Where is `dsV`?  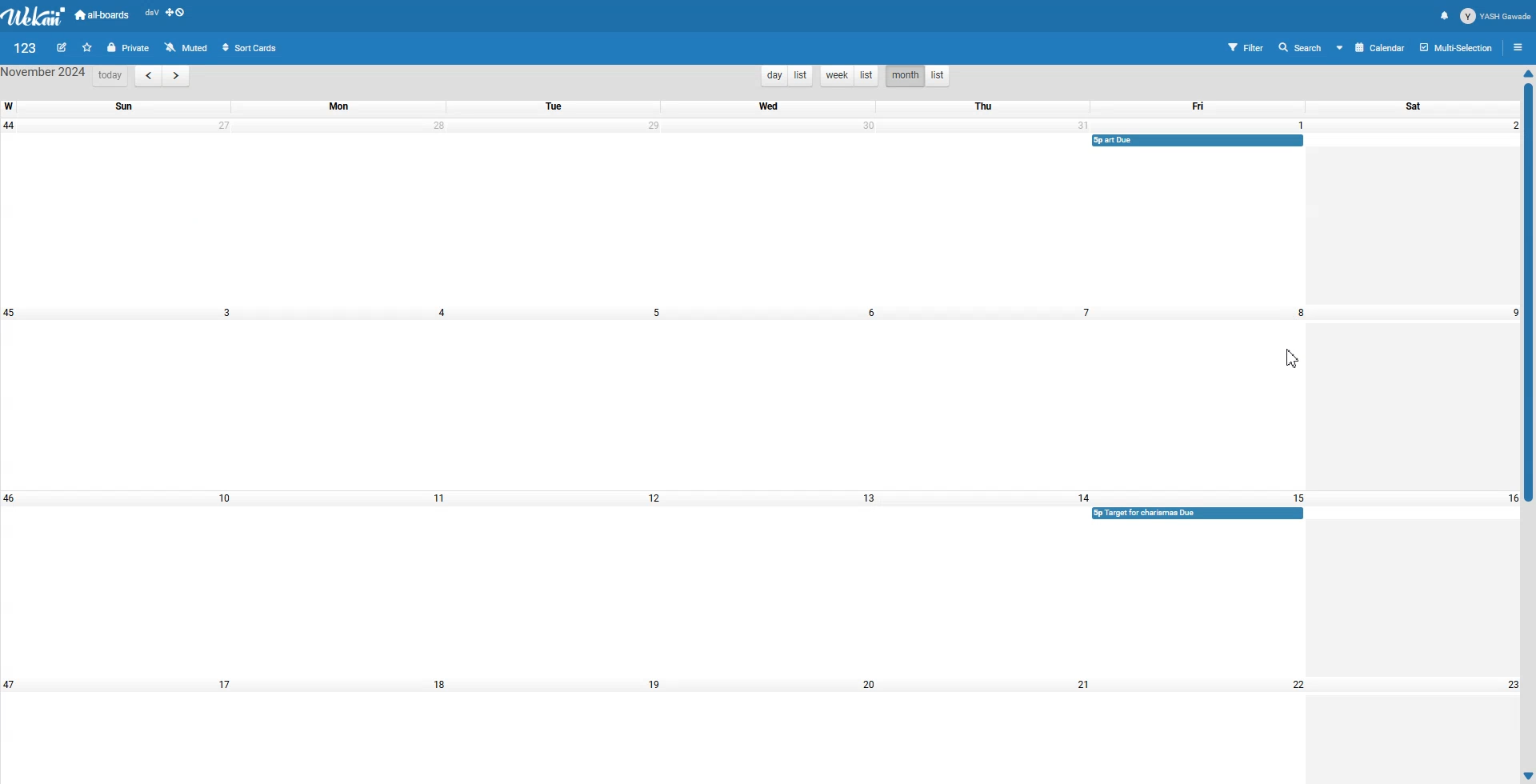 dsV is located at coordinates (151, 13).